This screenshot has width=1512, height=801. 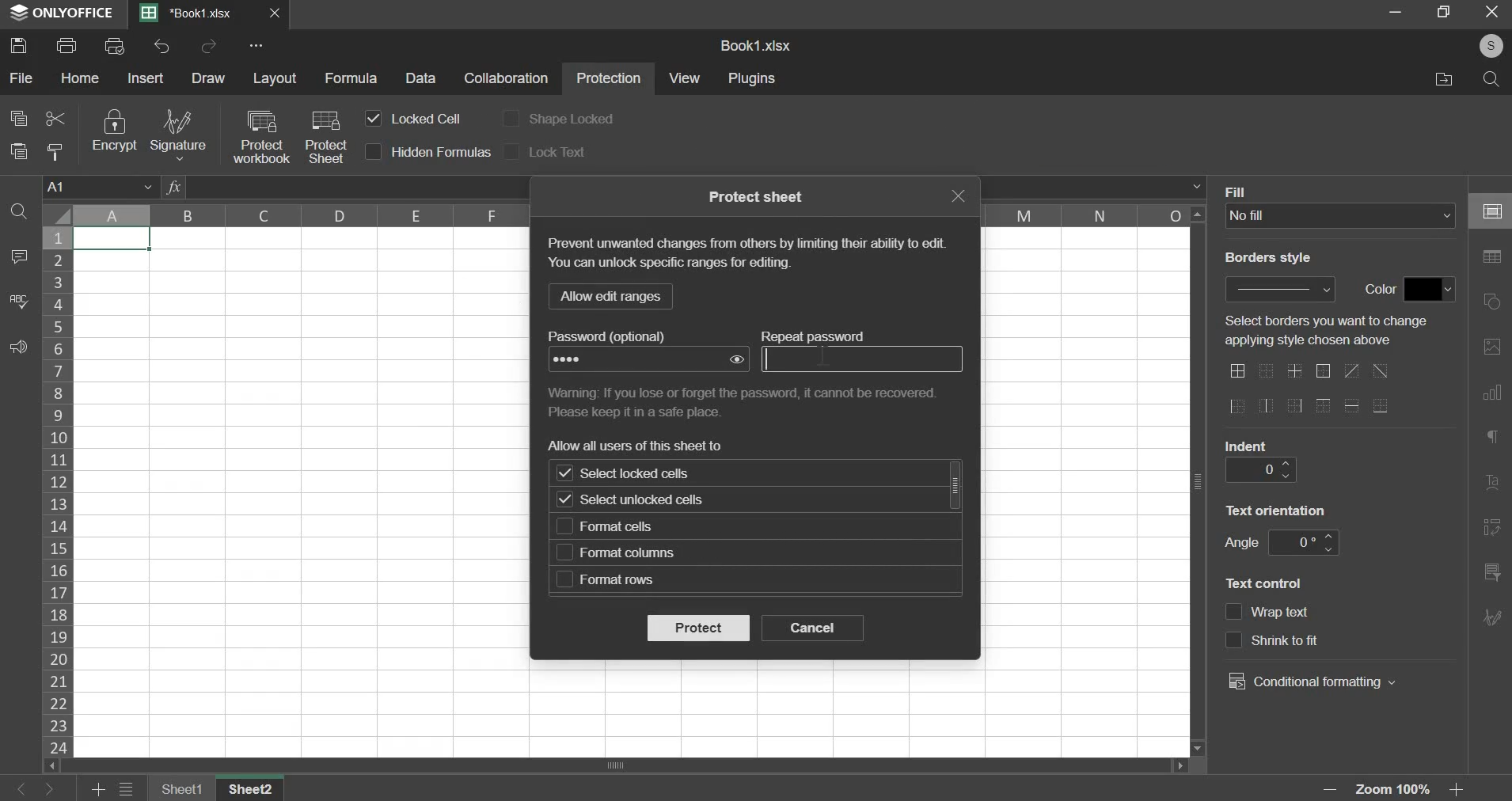 I want to click on right side bar, so click(x=1494, y=257).